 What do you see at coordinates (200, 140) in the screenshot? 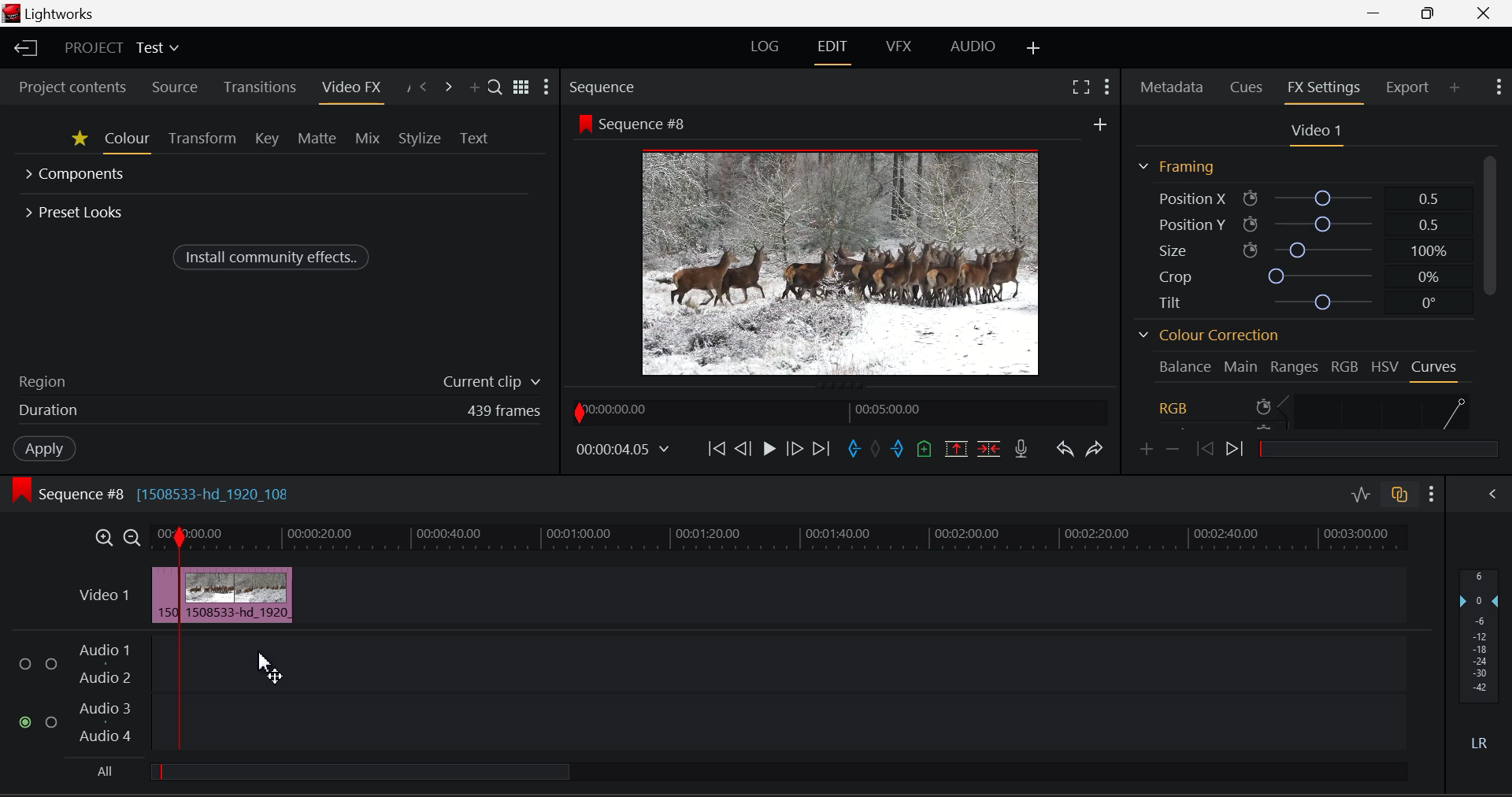
I see `Transform` at bounding box center [200, 140].